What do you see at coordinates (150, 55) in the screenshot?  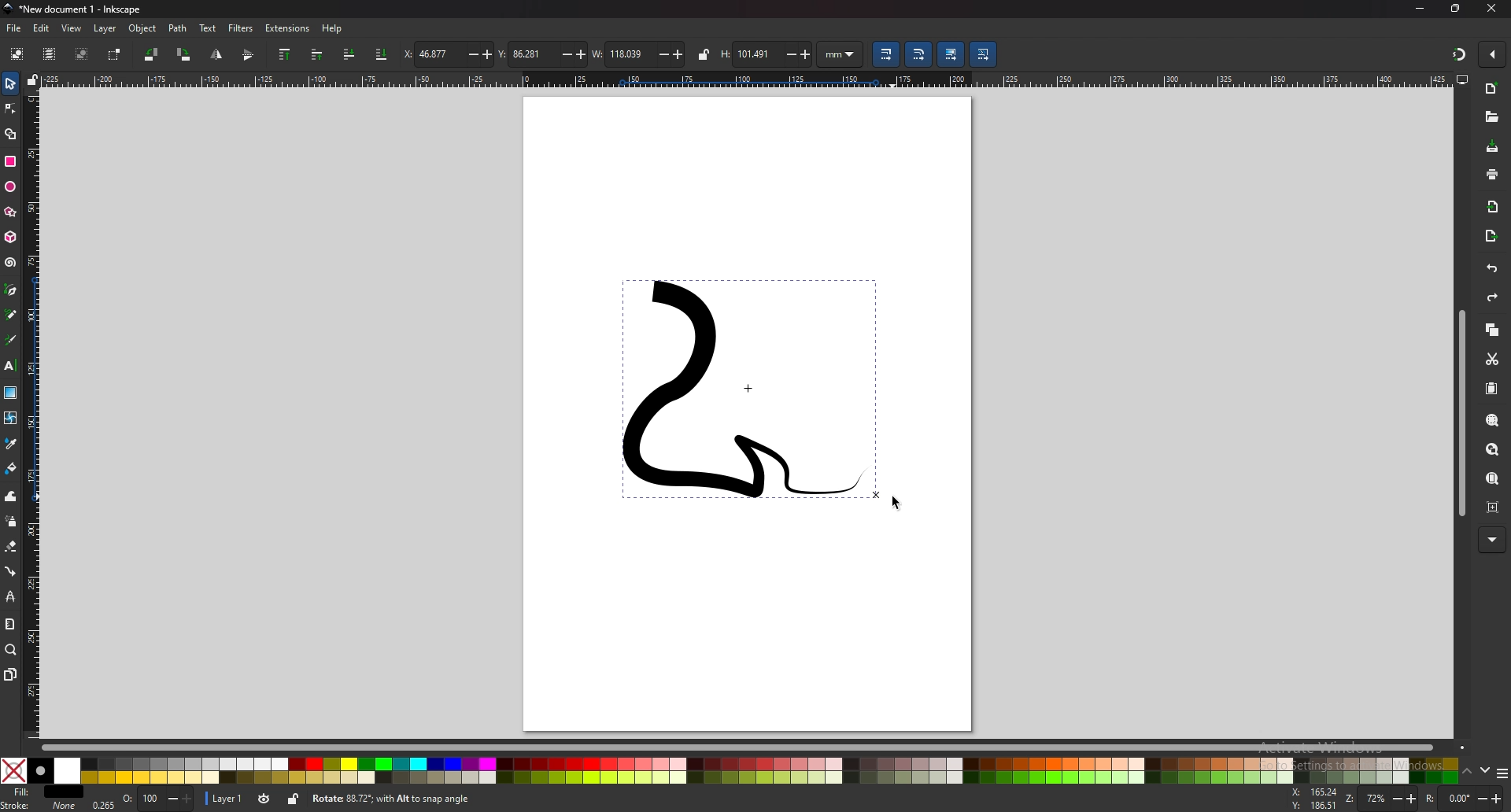 I see `rotate 90 degree ccw` at bounding box center [150, 55].